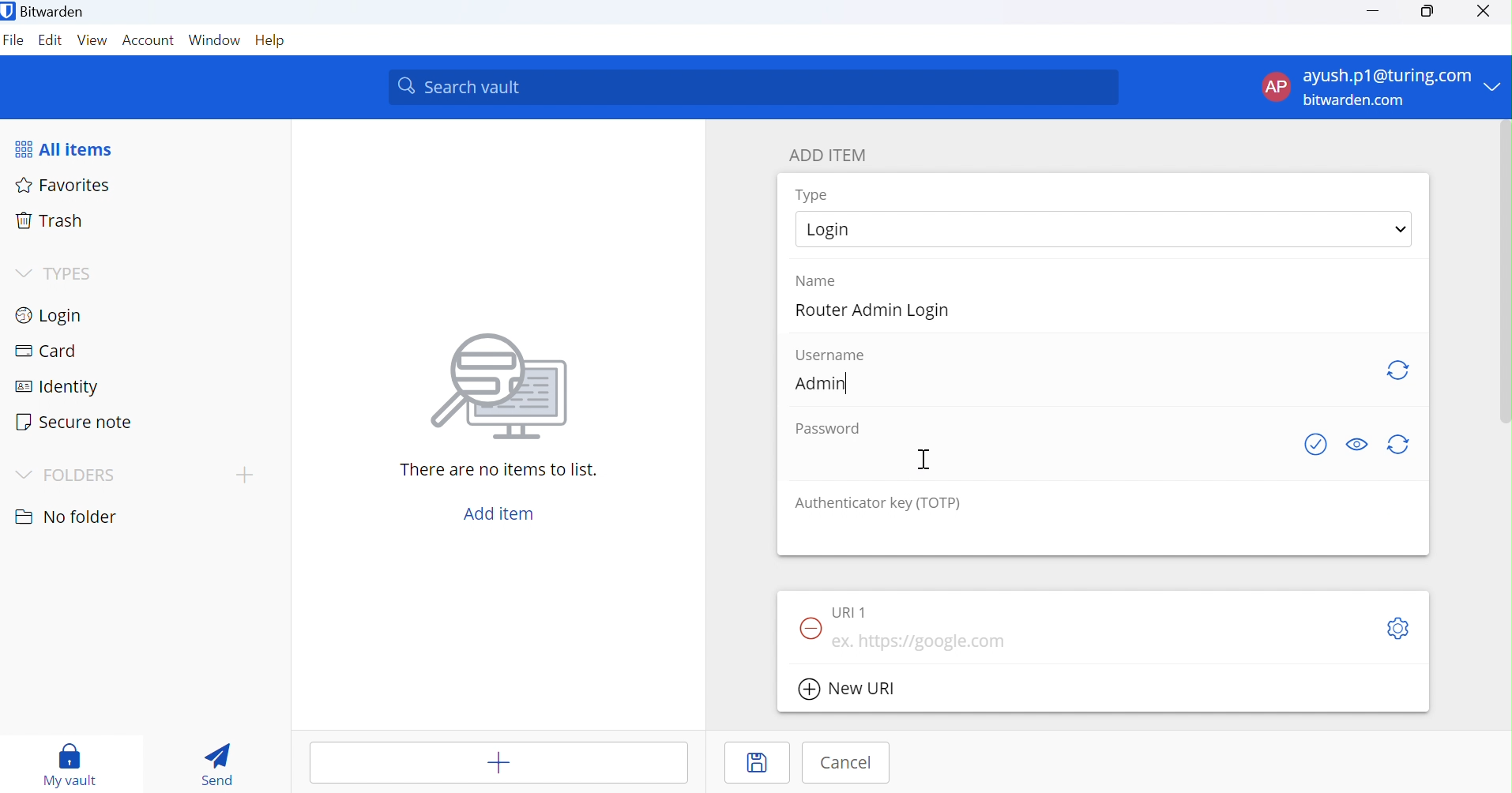 This screenshot has width=1512, height=793. I want to click on Authenticator key (TOTP), so click(878, 502).